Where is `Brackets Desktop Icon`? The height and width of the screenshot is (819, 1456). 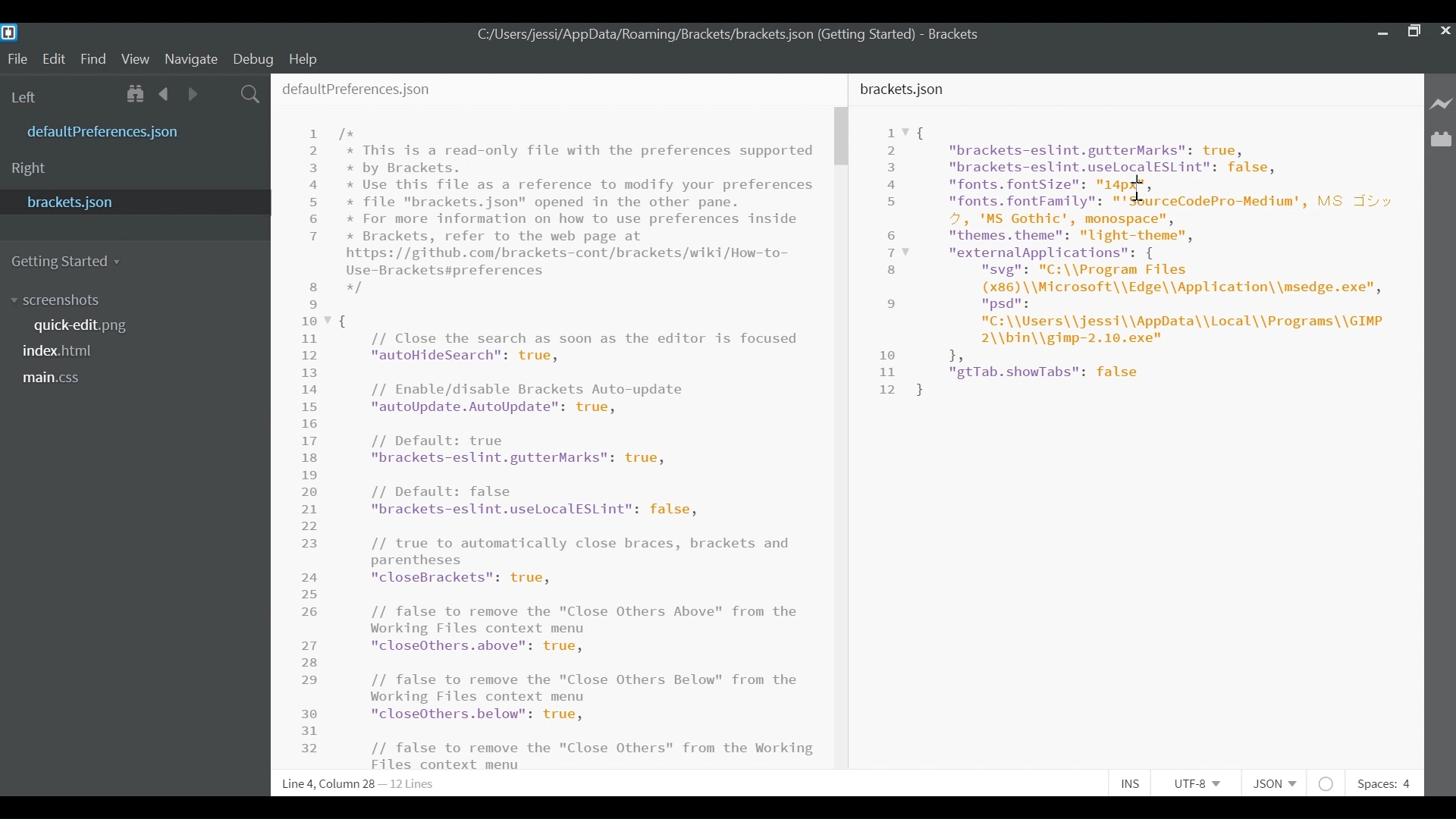 Brackets Desktop Icon is located at coordinates (11, 32).